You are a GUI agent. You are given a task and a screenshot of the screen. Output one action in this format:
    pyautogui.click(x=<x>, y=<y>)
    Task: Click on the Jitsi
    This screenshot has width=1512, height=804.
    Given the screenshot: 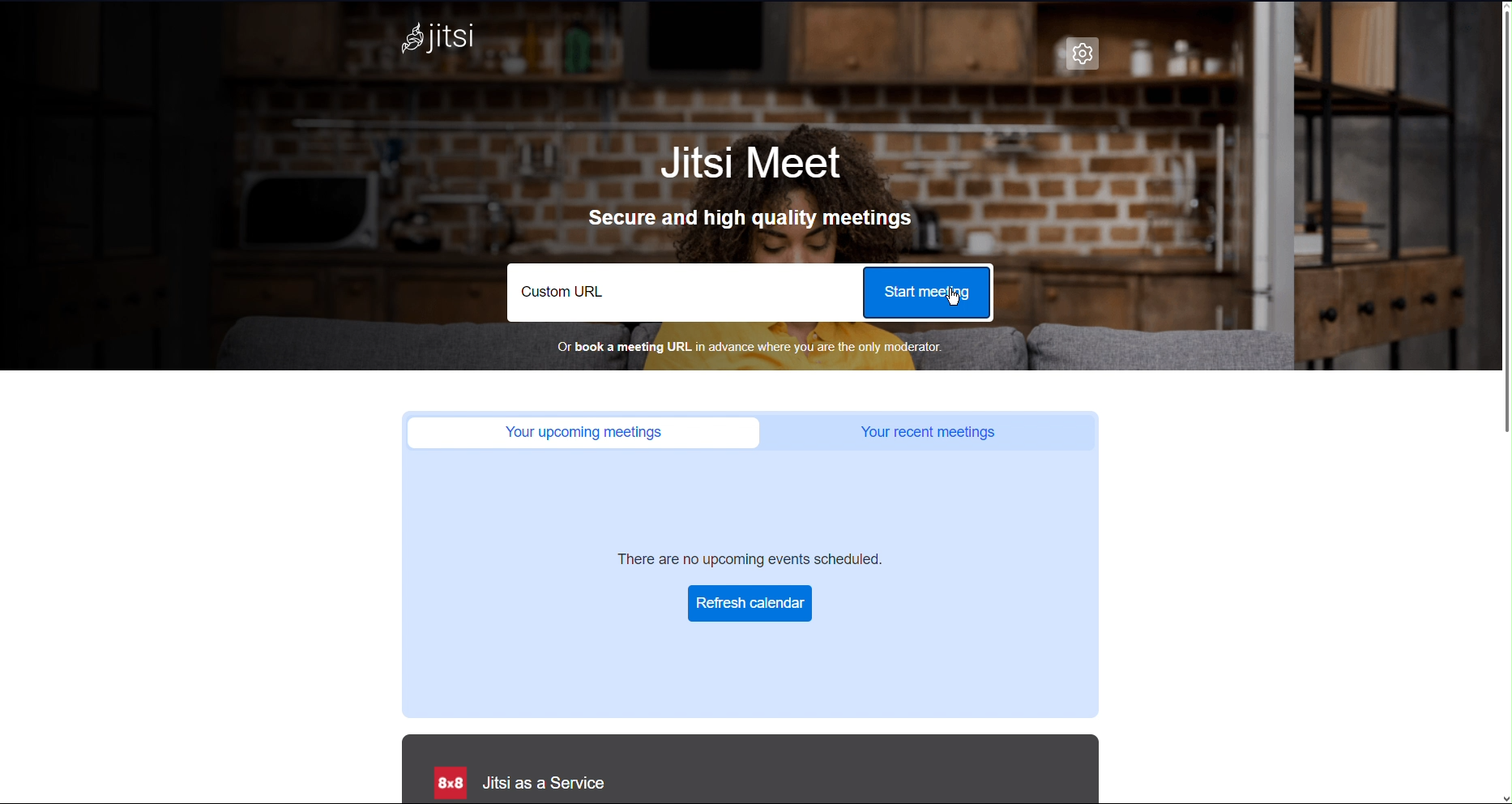 What is the action you would take?
    pyautogui.click(x=437, y=41)
    